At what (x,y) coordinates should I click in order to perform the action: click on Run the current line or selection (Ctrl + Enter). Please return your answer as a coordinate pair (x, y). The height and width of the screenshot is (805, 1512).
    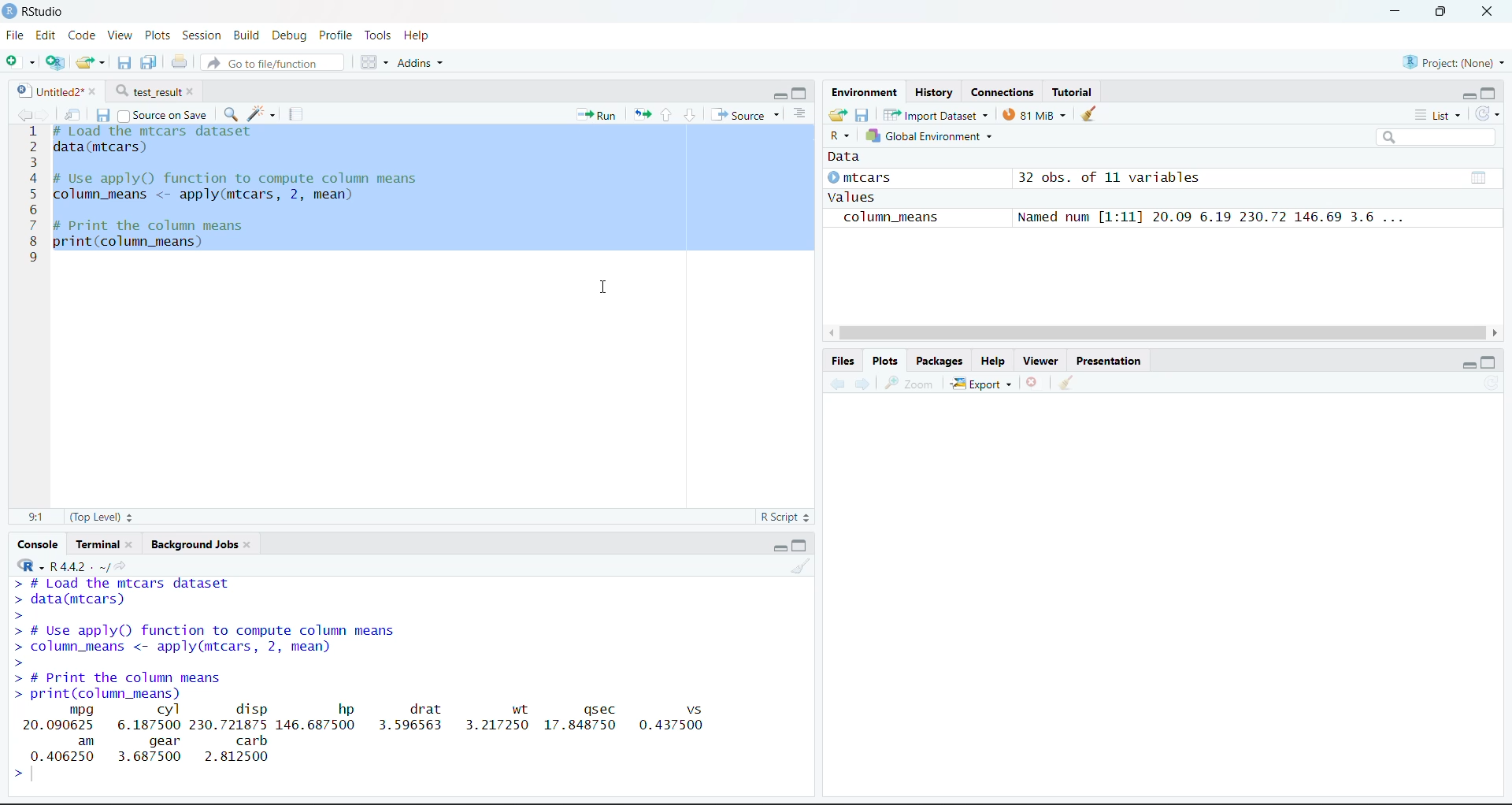
    Looking at the image, I should click on (593, 116).